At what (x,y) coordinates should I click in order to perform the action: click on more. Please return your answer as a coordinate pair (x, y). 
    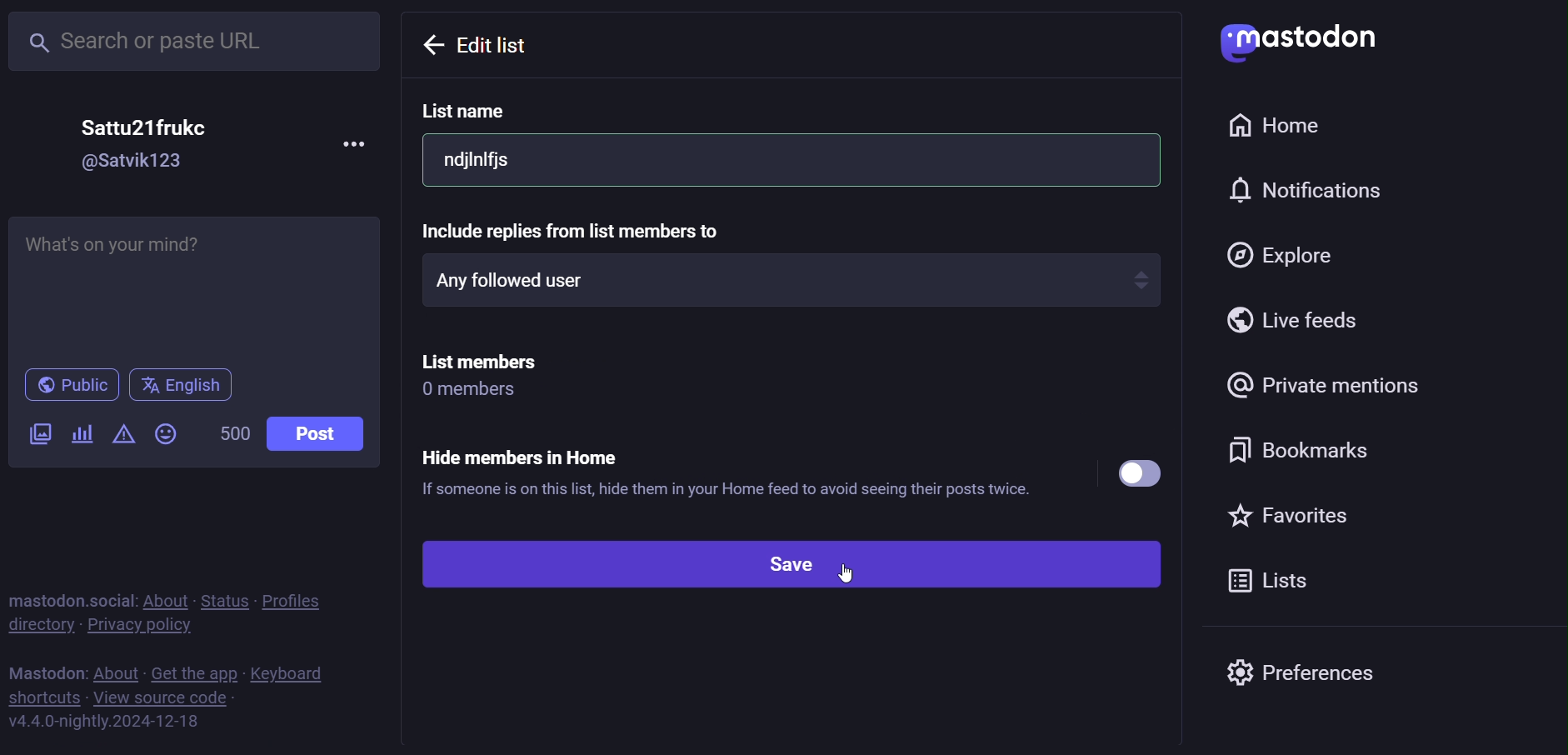
    Looking at the image, I should click on (351, 144).